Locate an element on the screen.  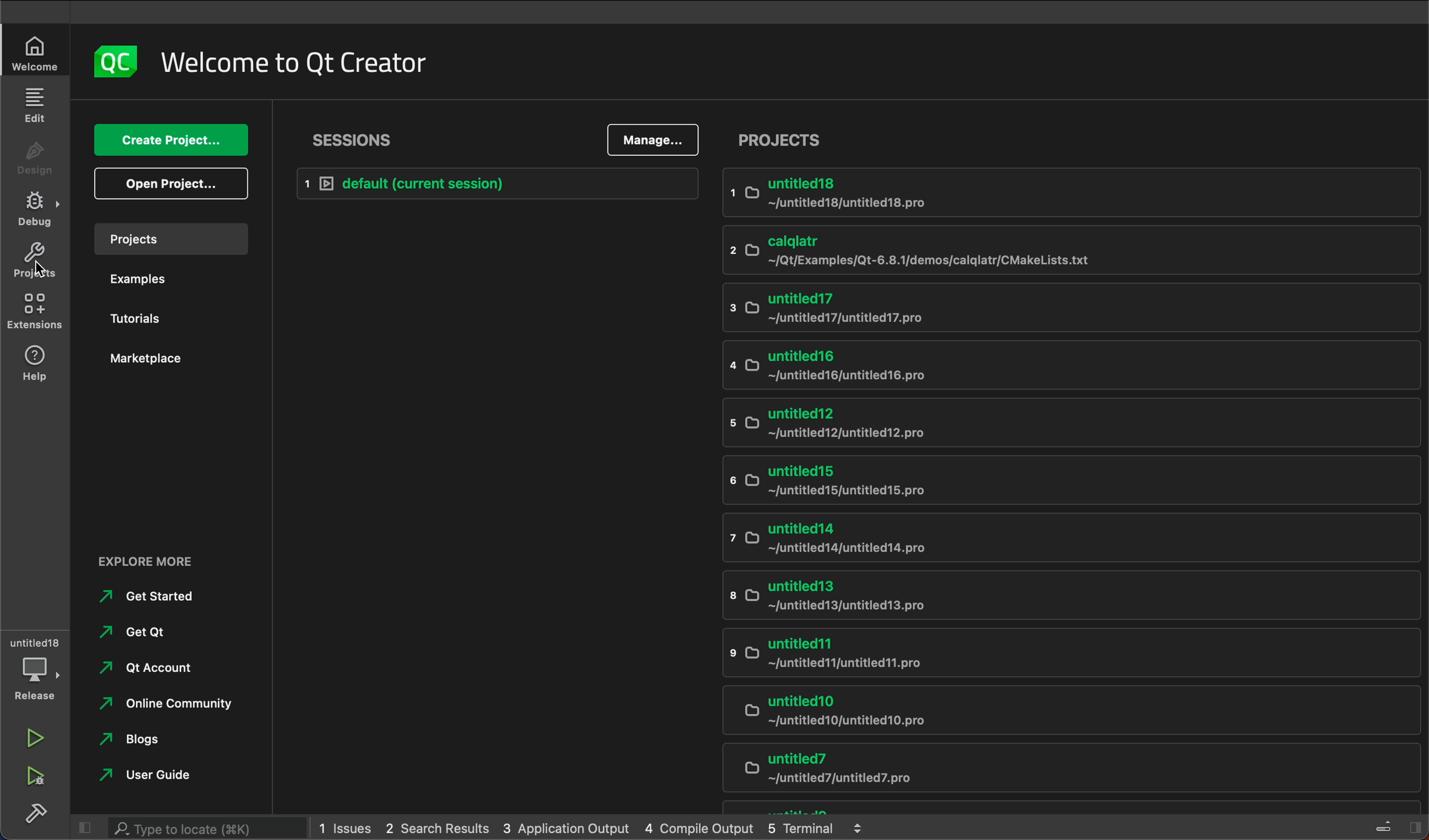
tutorials is located at coordinates (143, 319).